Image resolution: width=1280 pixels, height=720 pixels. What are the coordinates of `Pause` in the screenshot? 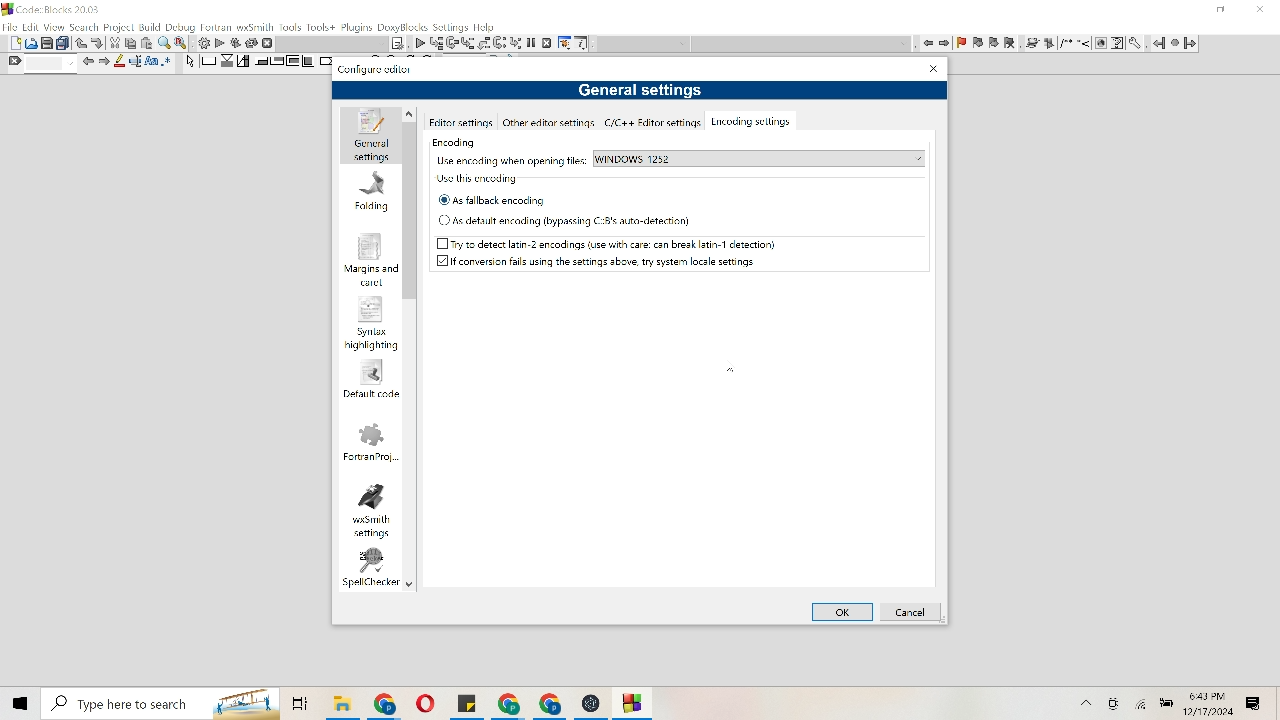 It's located at (1174, 44).